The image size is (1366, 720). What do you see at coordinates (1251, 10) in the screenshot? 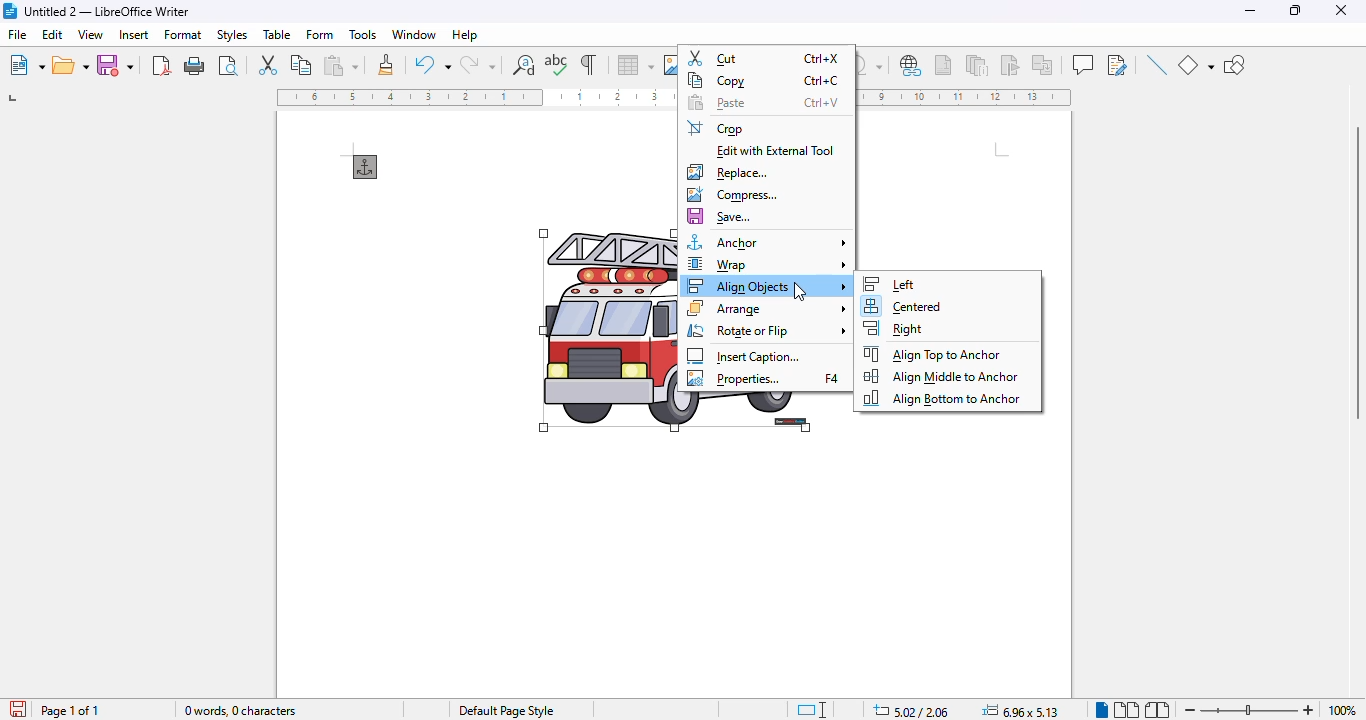
I see `minimize` at bounding box center [1251, 10].